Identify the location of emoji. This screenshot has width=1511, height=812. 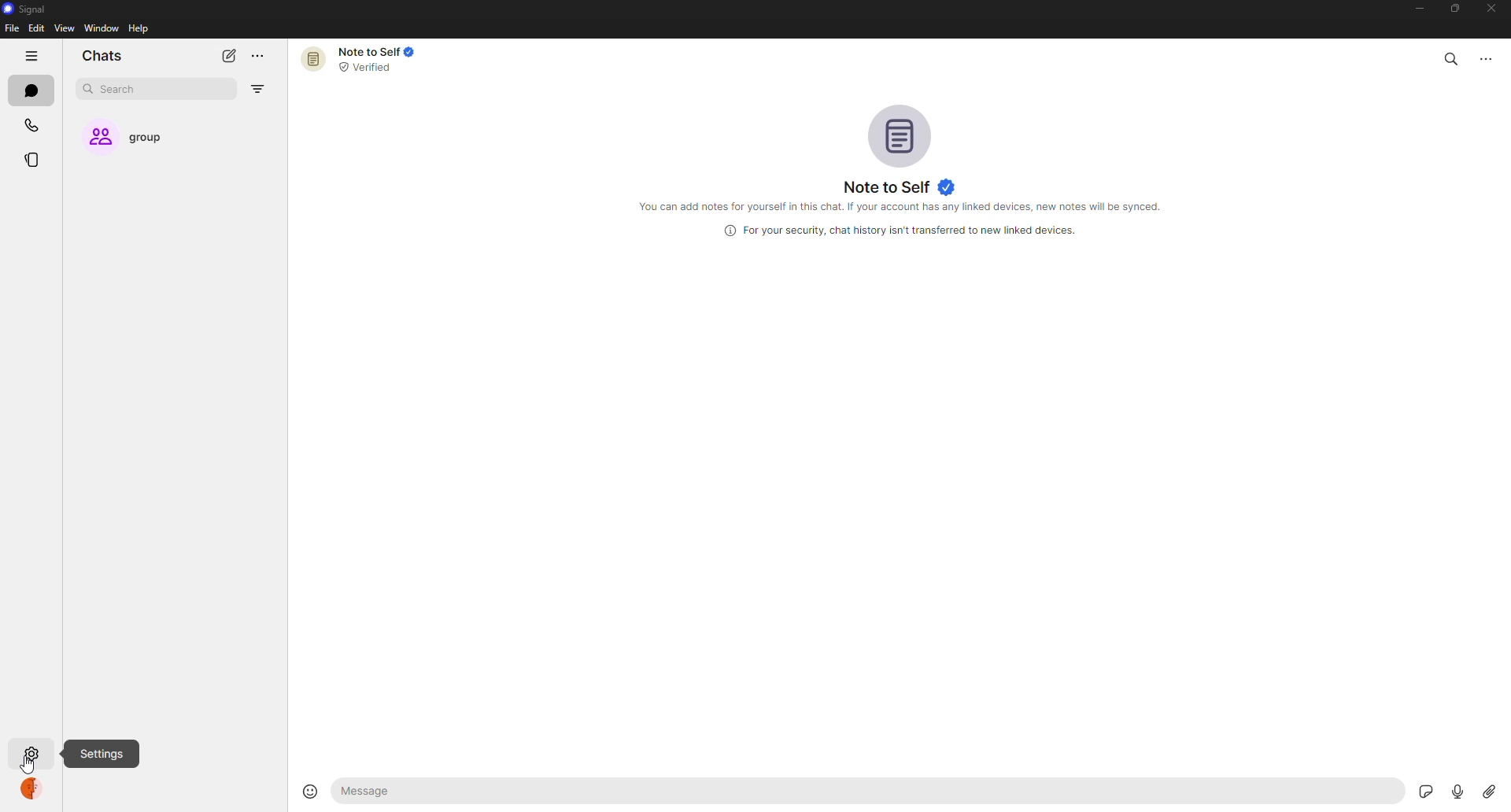
(305, 789).